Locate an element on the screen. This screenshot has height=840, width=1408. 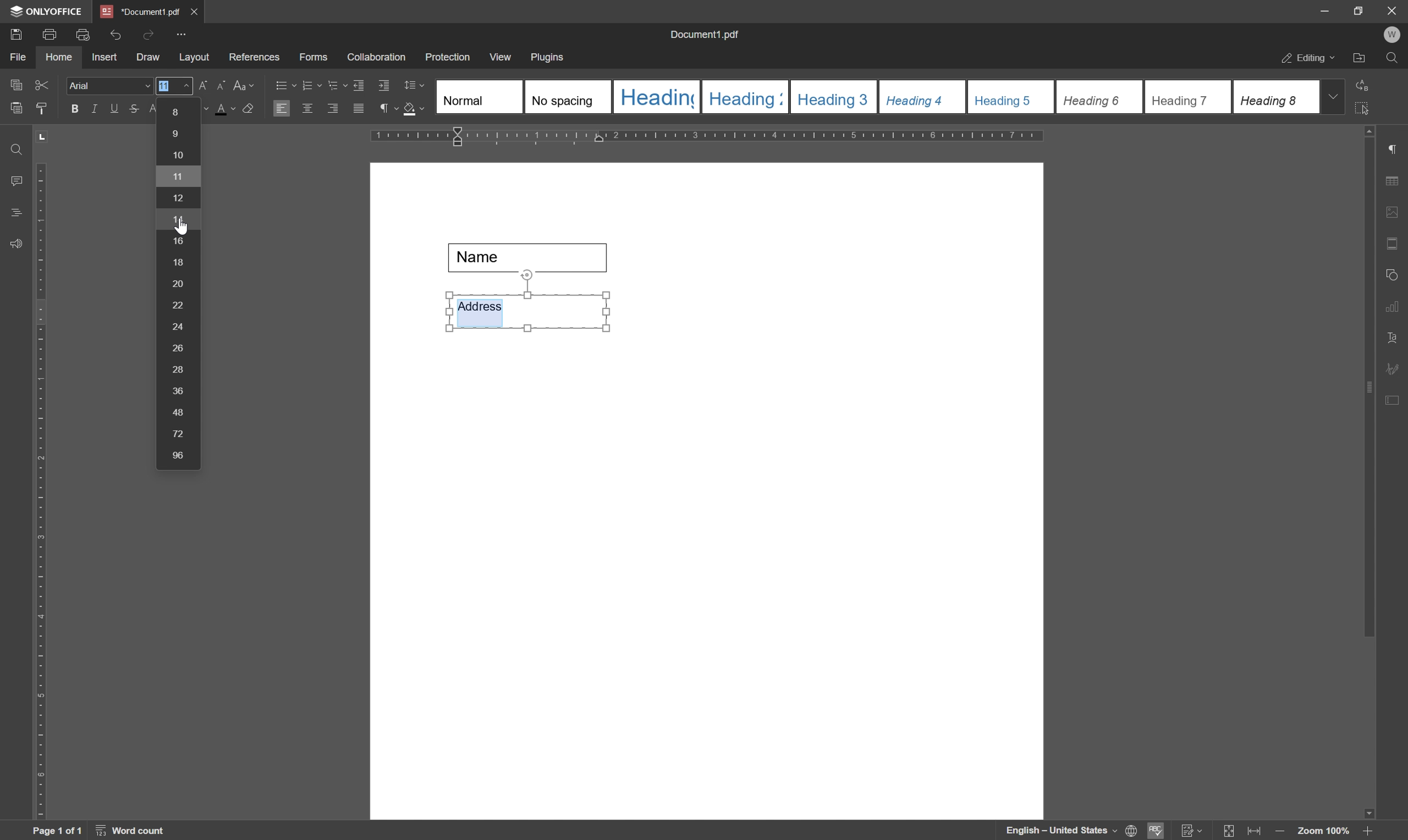
shading is located at coordinates (414, 110).